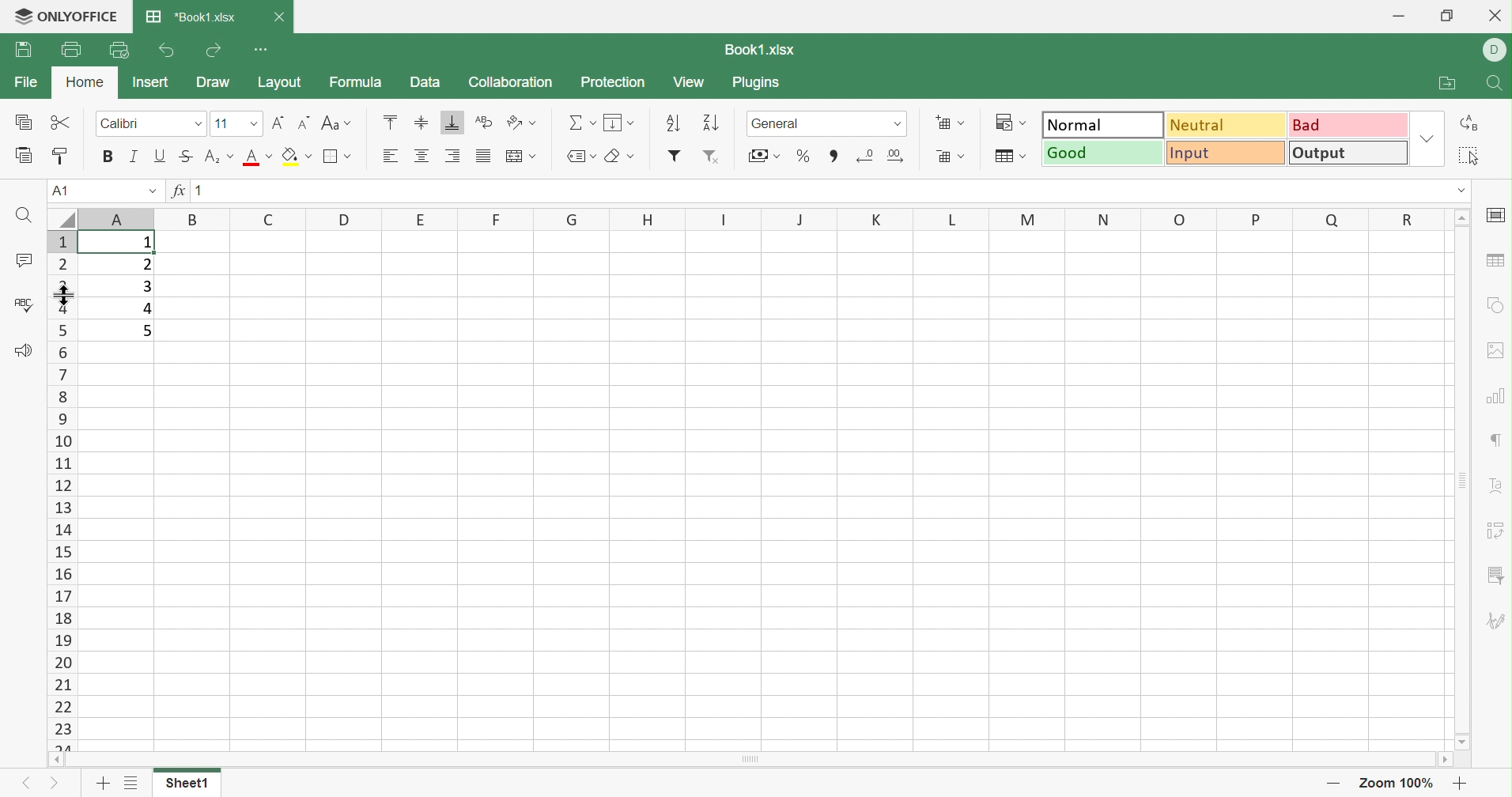 The image size is (1512, 797). What do you see at coordinates (221, 123) in the screenshot?
I see `11` at bounding box center [221, 123].